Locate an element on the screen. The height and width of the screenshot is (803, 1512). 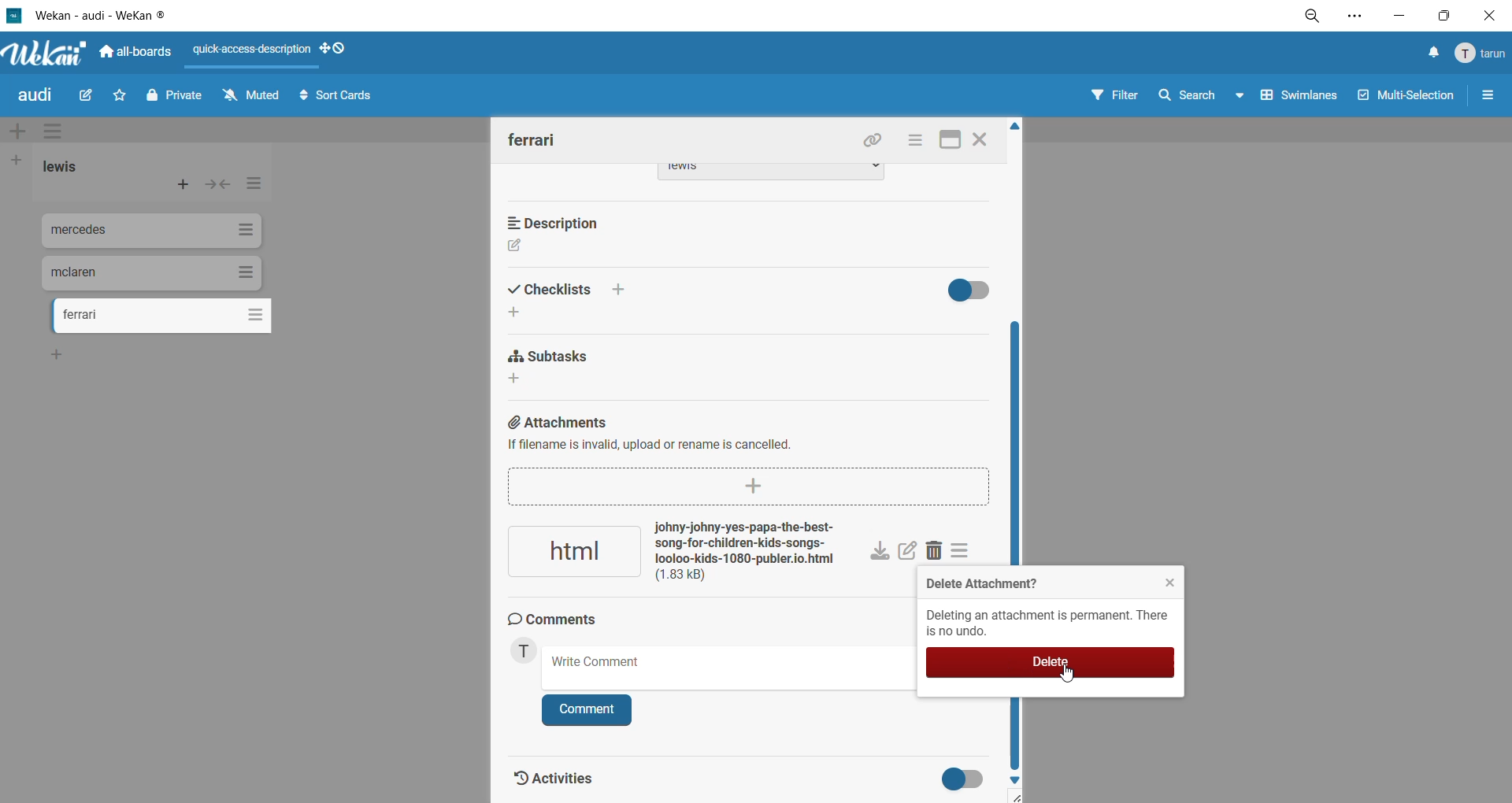
swimlanes is located at coordinates (1295, 101).